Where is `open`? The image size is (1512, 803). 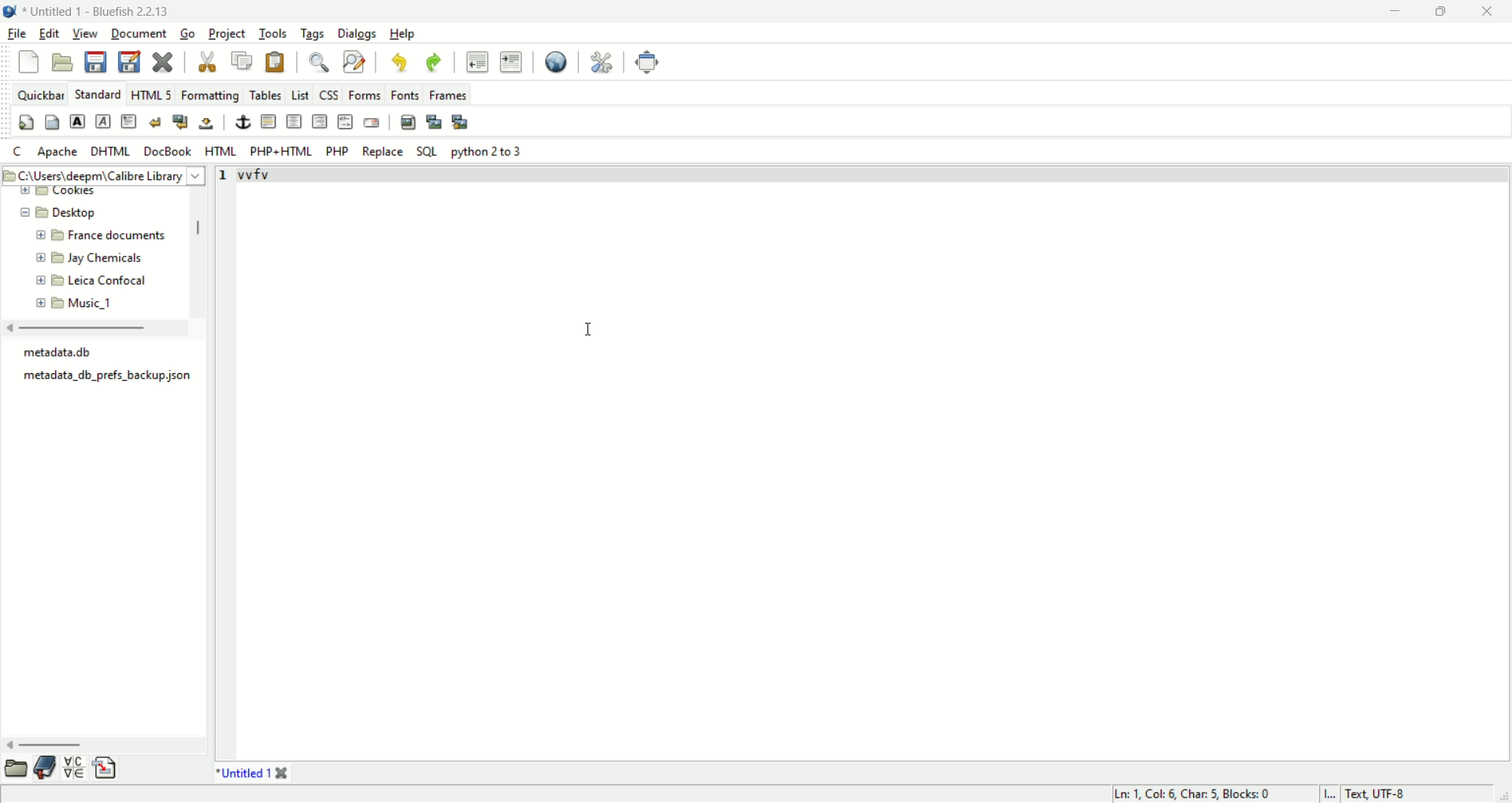
open is located at coordinates (62, 63).